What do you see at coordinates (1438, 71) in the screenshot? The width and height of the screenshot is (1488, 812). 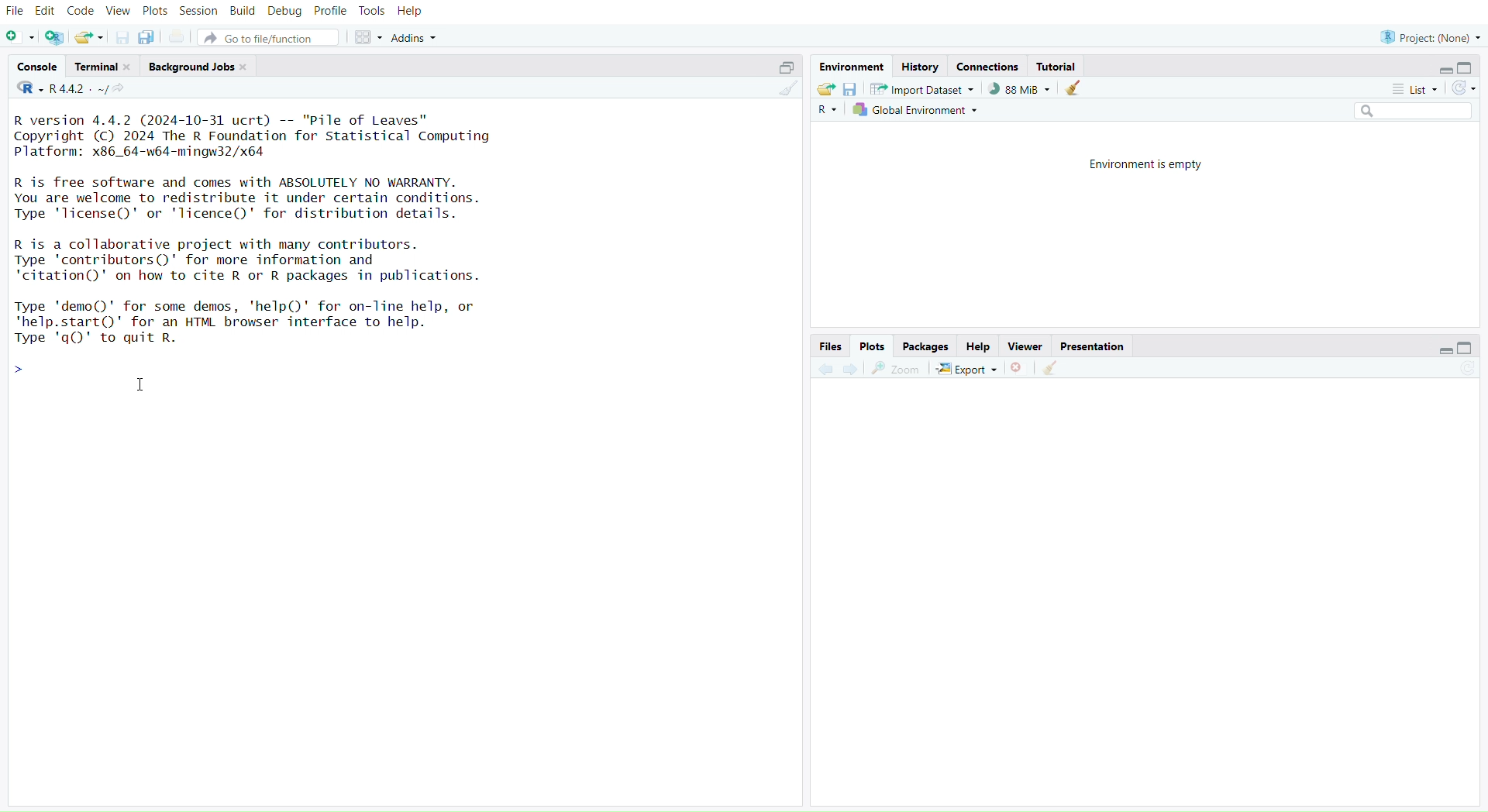 I see `expand` at bounding box center [1438, 71].